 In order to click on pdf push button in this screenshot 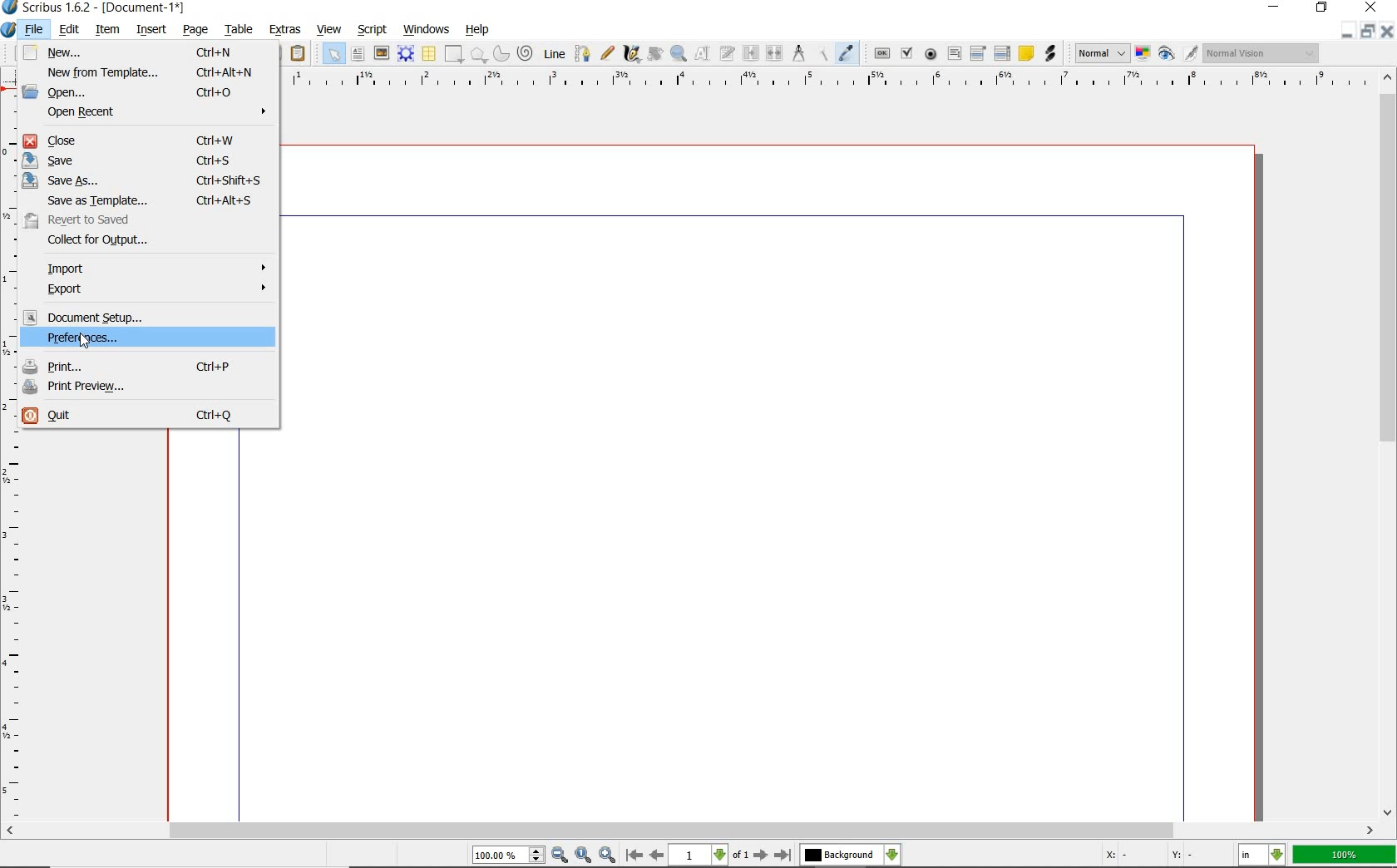, I will do `click(882, 54)`.